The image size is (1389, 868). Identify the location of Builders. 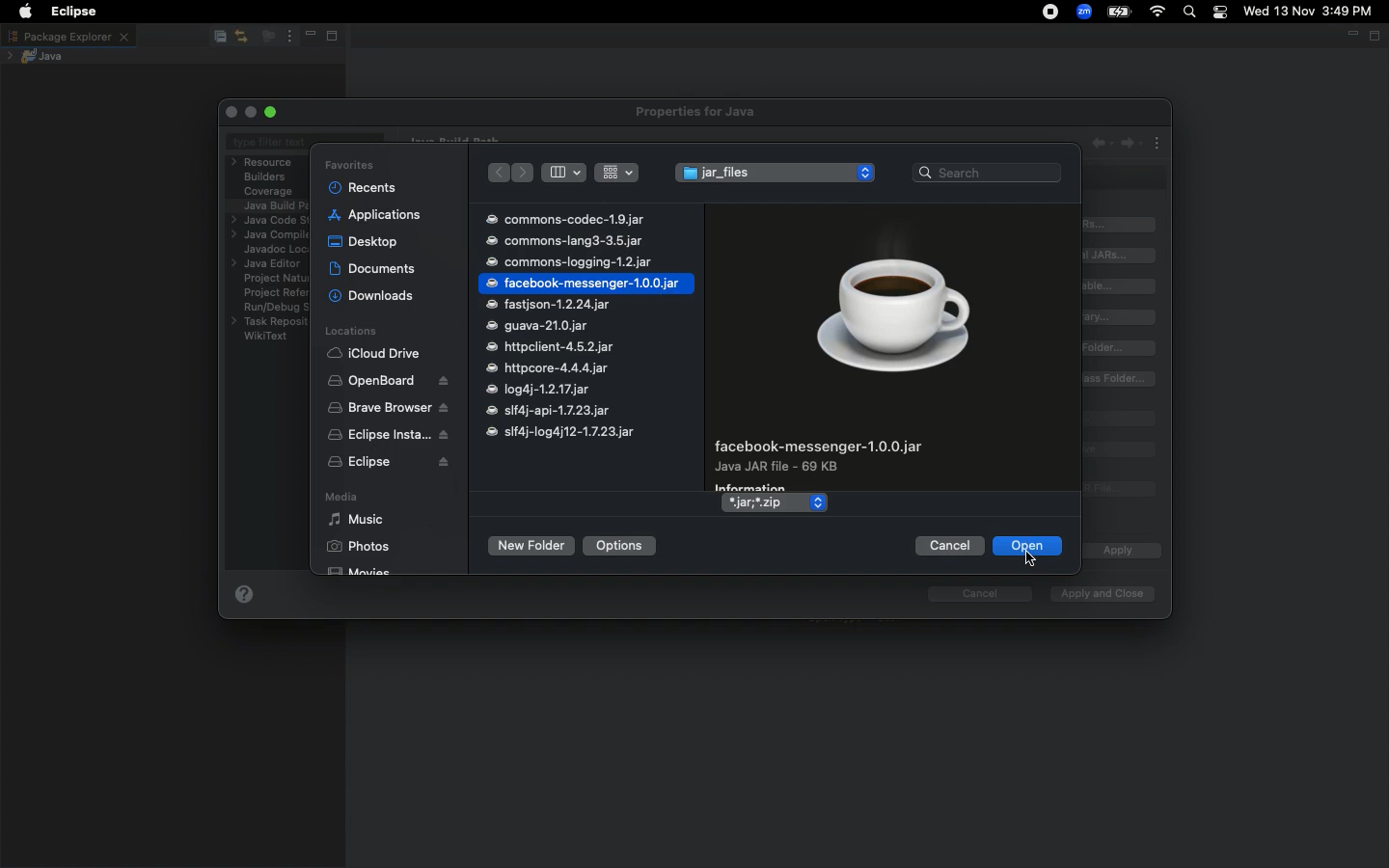
(265, 177).